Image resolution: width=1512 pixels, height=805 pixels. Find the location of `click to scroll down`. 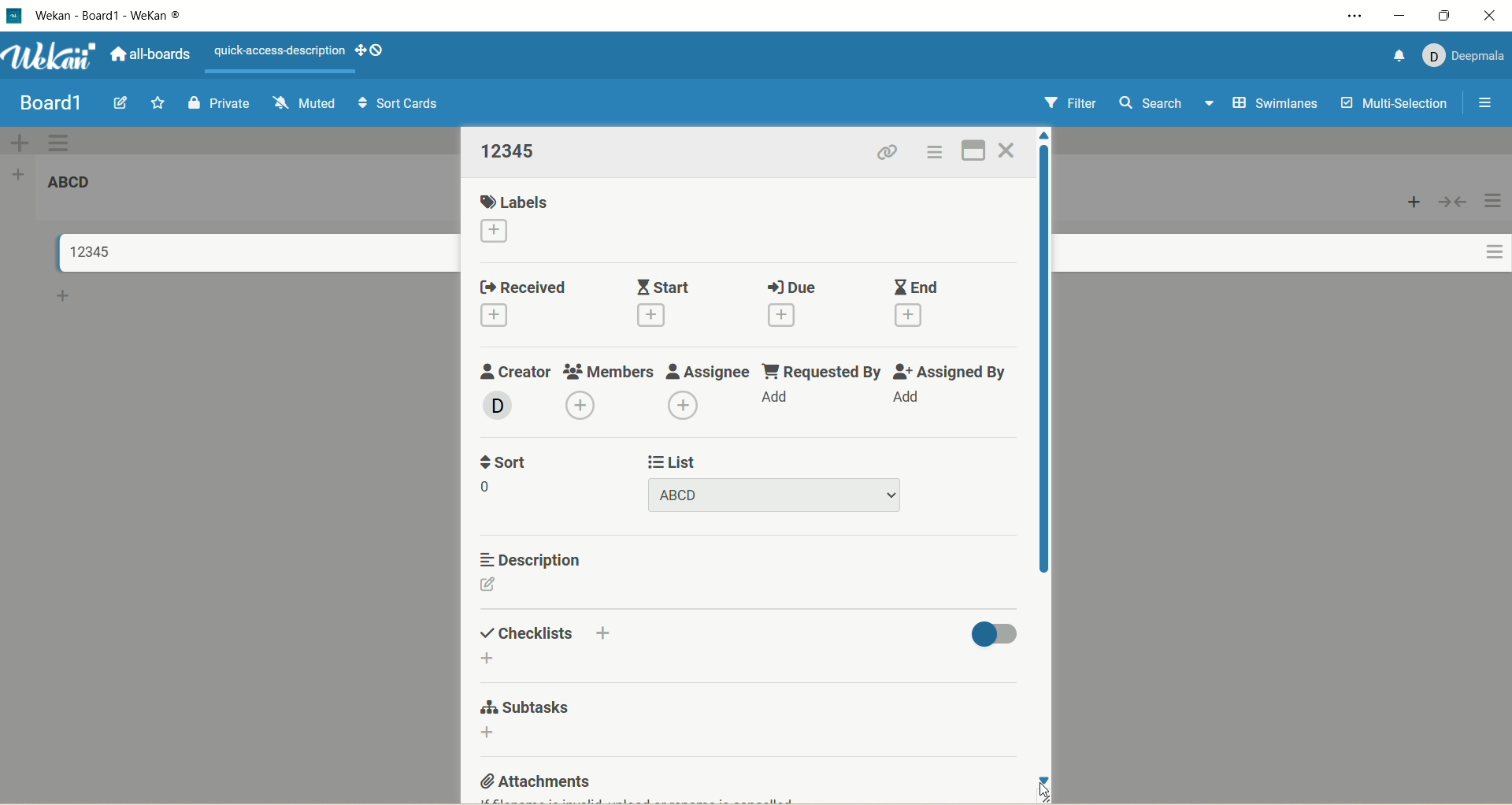

click to scroll down is located at coordinates (1045, 779).